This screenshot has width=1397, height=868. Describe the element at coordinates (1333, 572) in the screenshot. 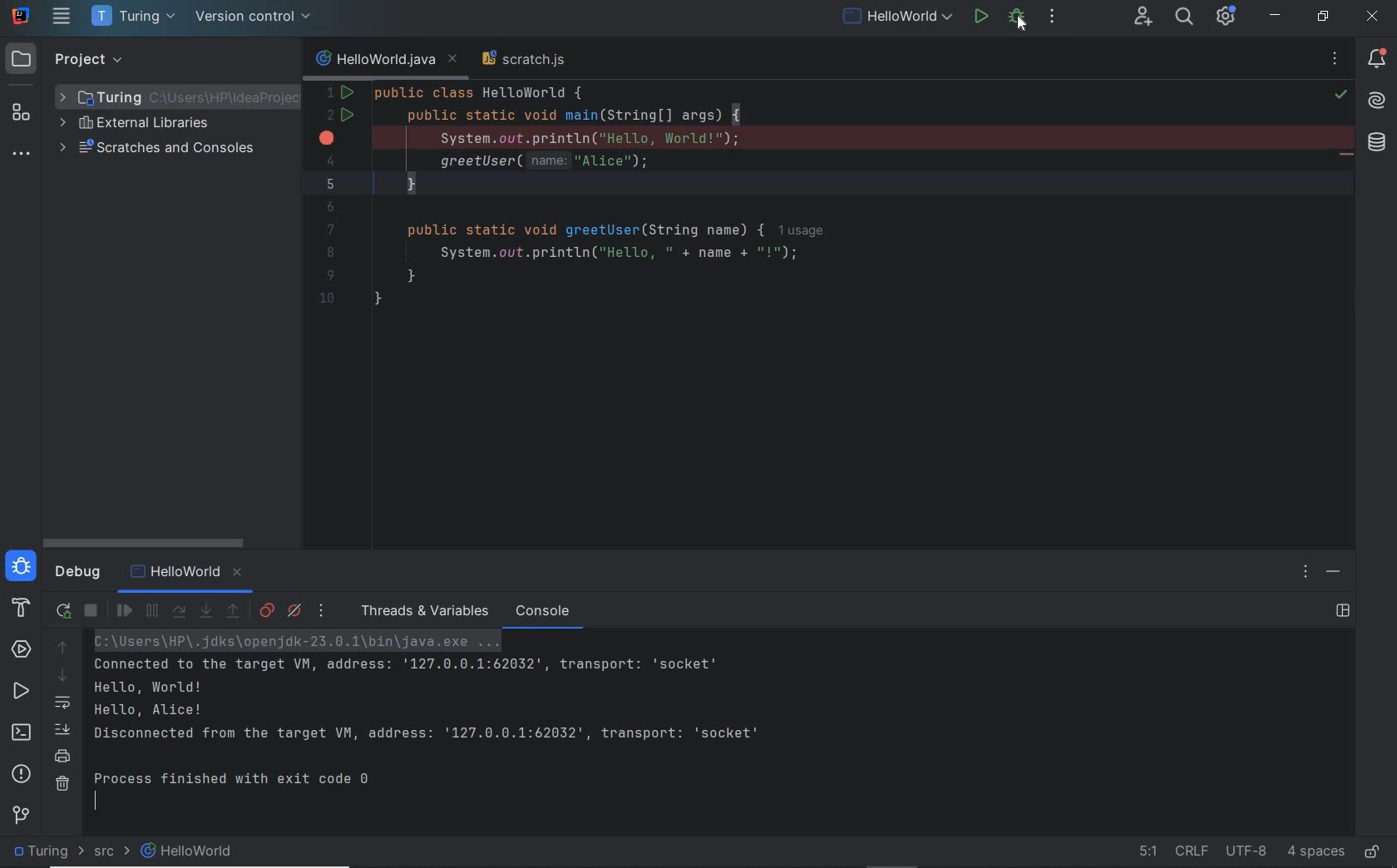

I see `hide` at that location.